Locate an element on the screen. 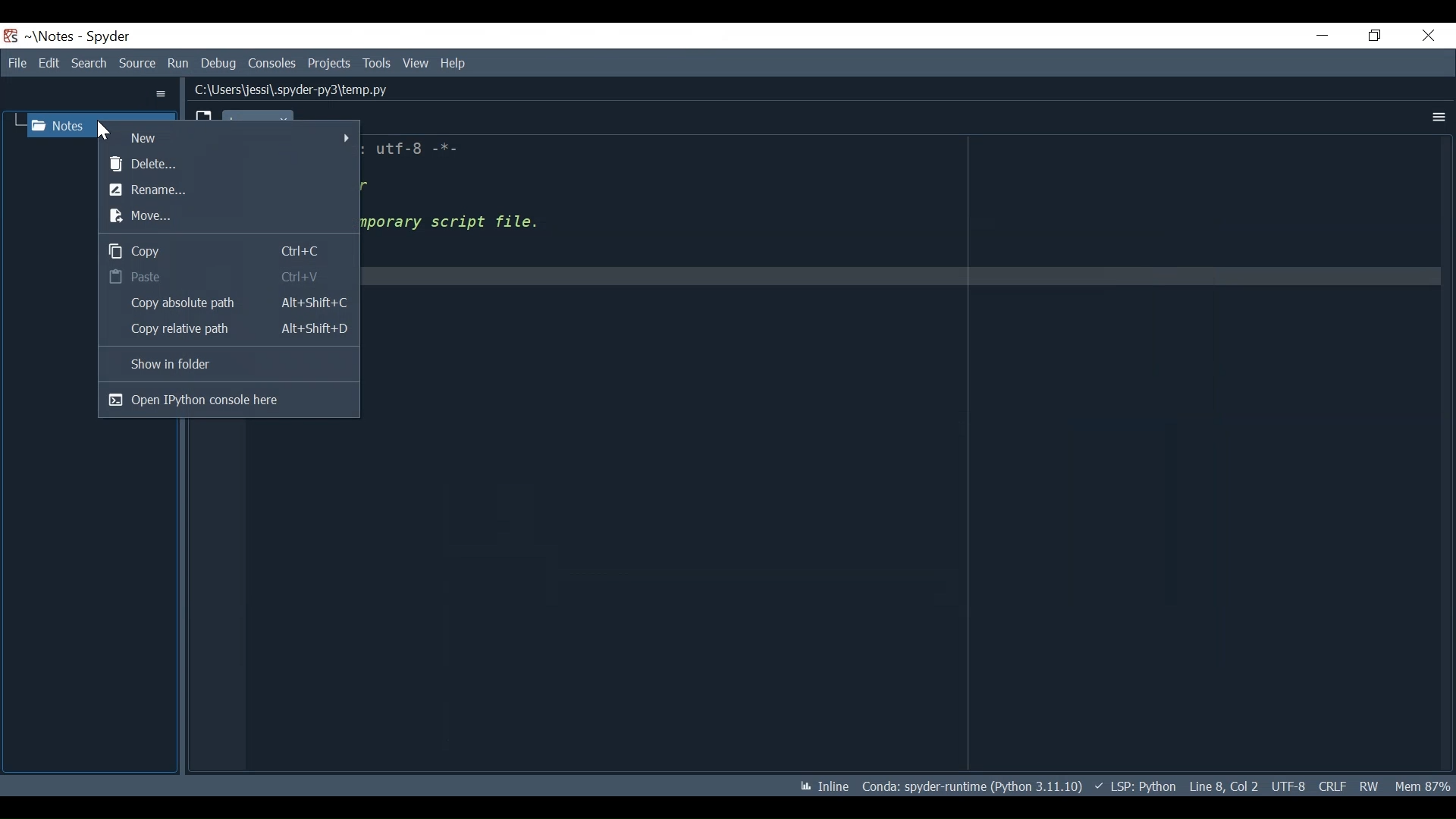  File Permission is located at coordinates (1369, 785).